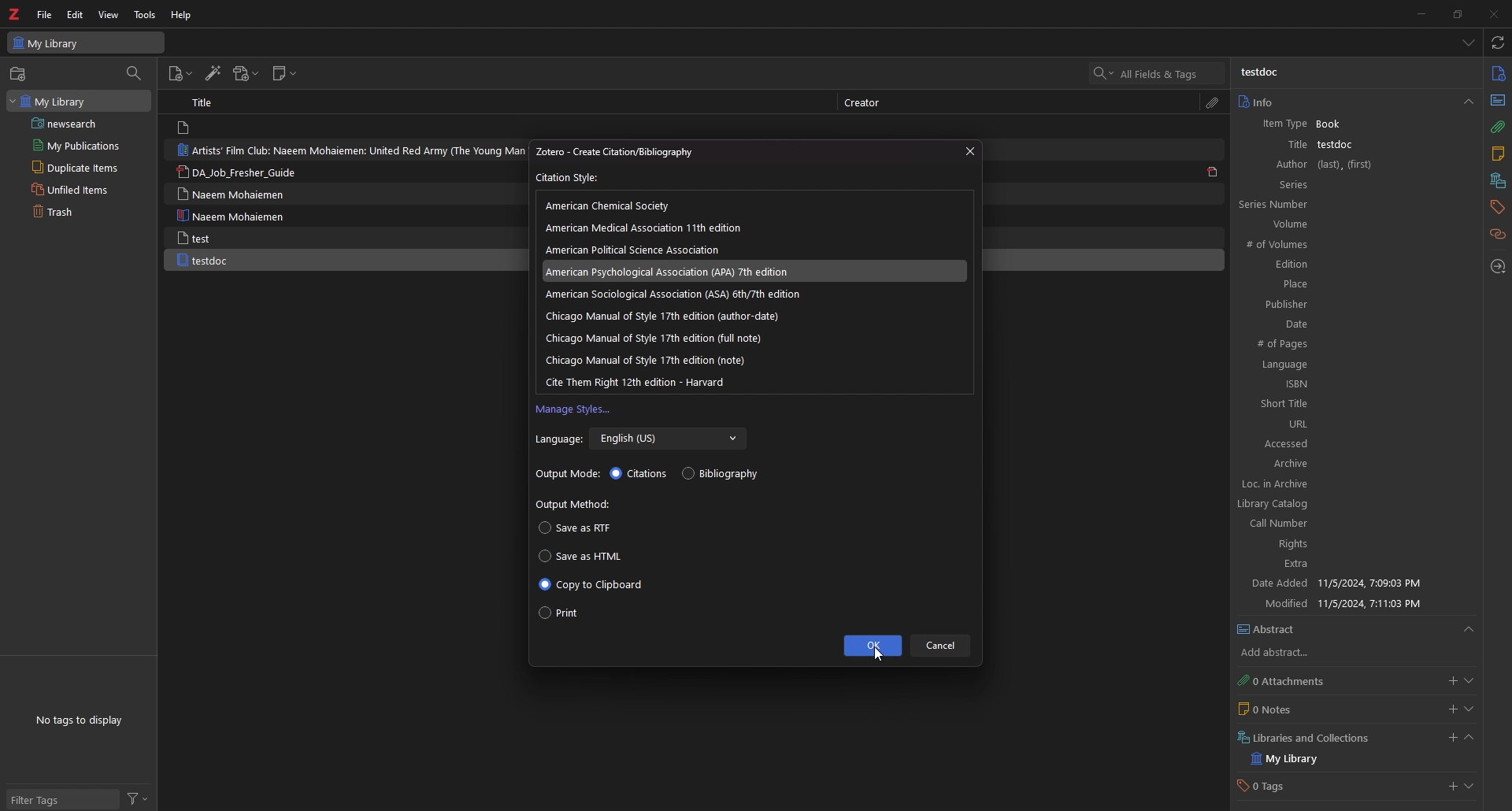  I want to click on Output mode:, so click(569, 475).